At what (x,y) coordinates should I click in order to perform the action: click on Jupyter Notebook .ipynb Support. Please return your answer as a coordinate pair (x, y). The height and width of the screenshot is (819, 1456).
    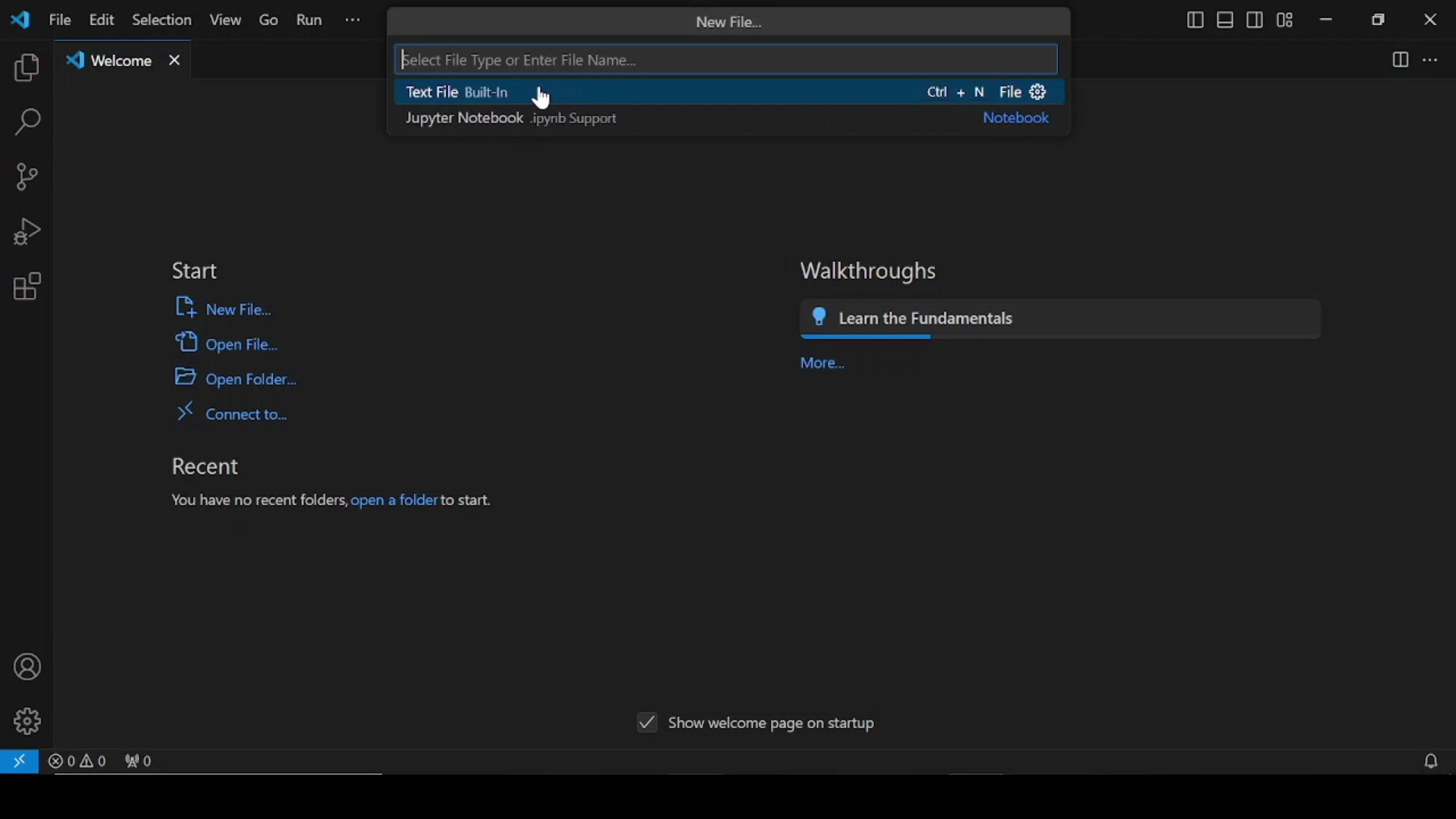
    Looking at the image, I should click on (522, 121).